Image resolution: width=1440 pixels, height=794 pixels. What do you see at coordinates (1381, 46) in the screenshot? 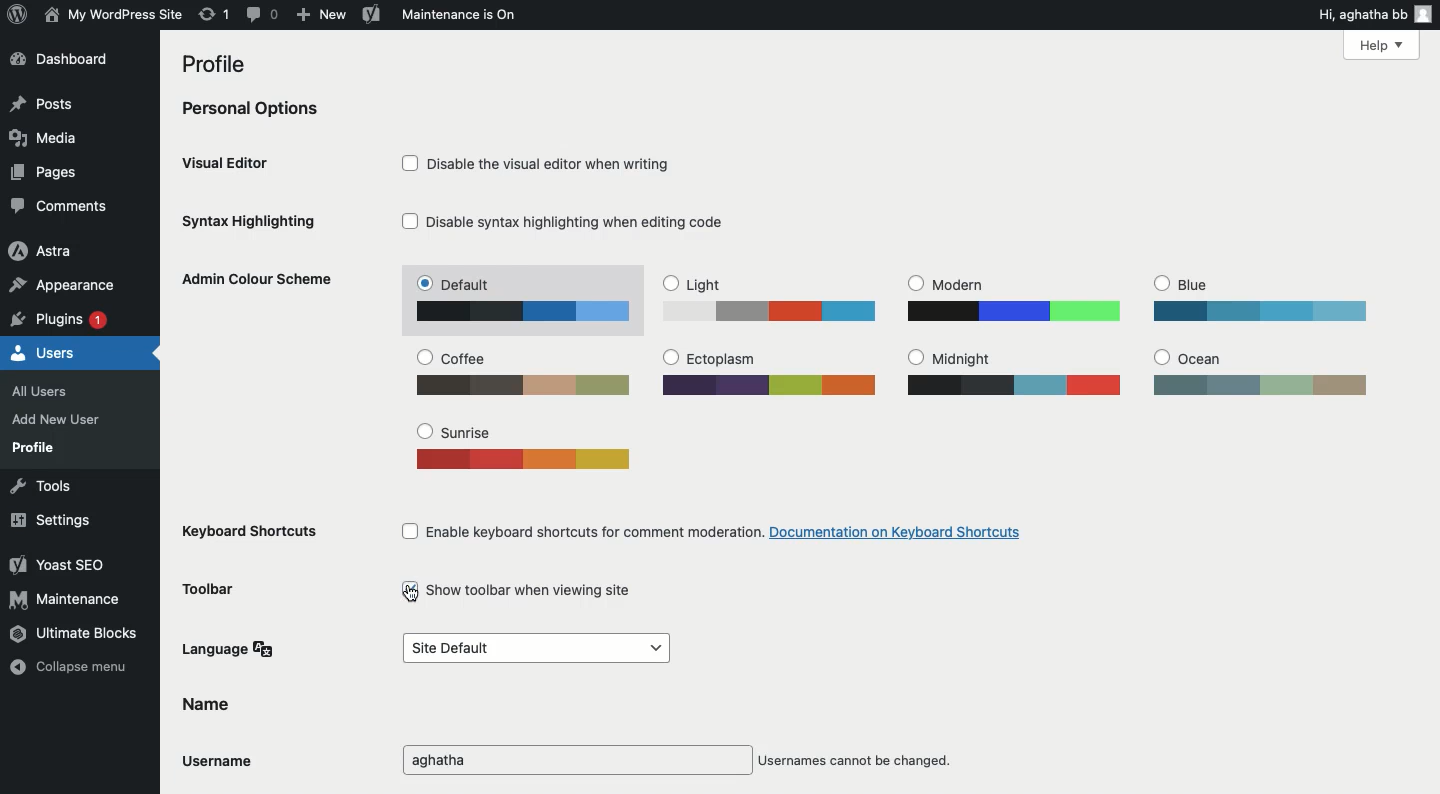
I see `Help` at bounding box center [1381, 46].